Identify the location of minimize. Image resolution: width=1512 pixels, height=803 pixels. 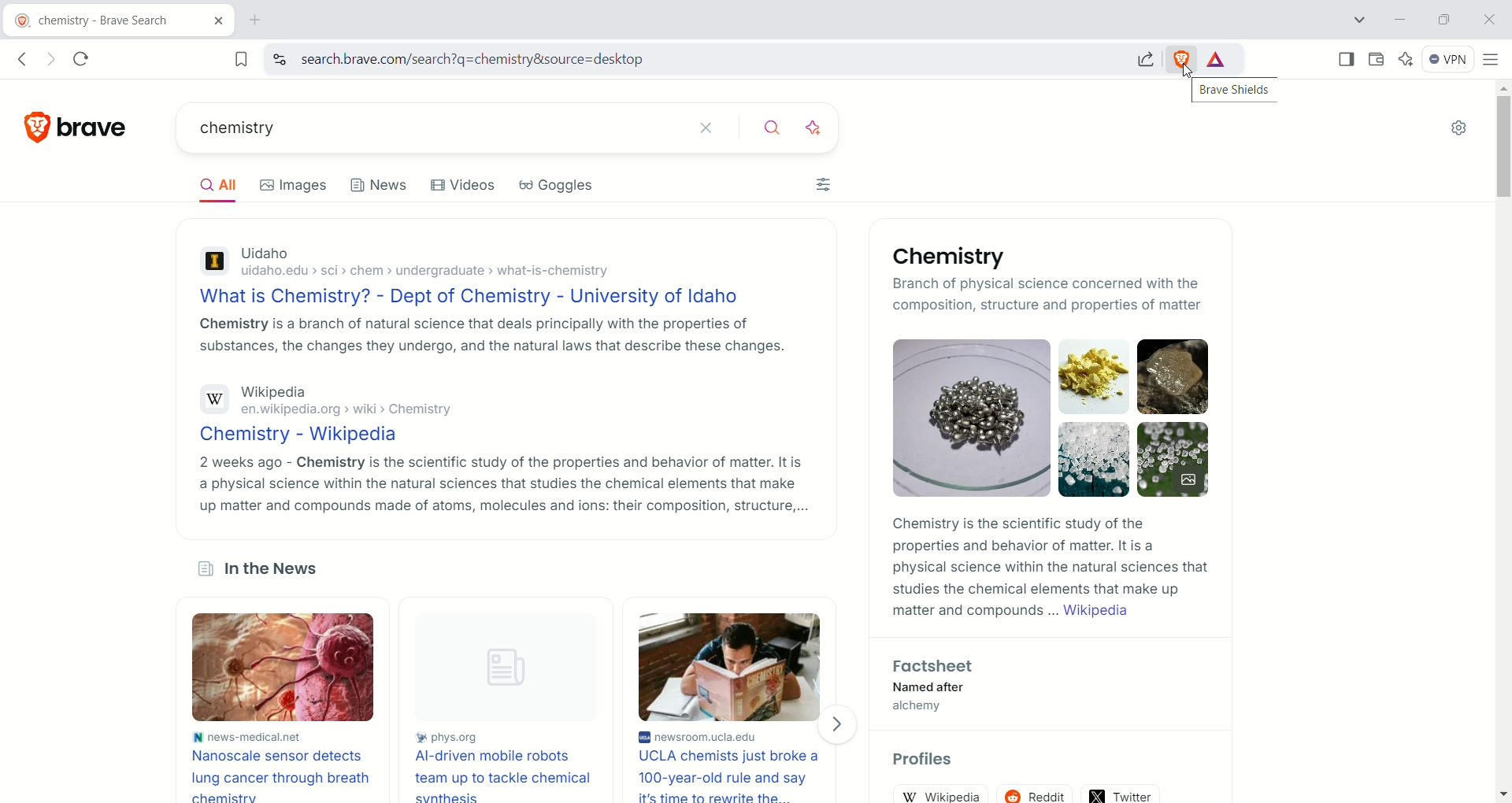
(1400, 18).